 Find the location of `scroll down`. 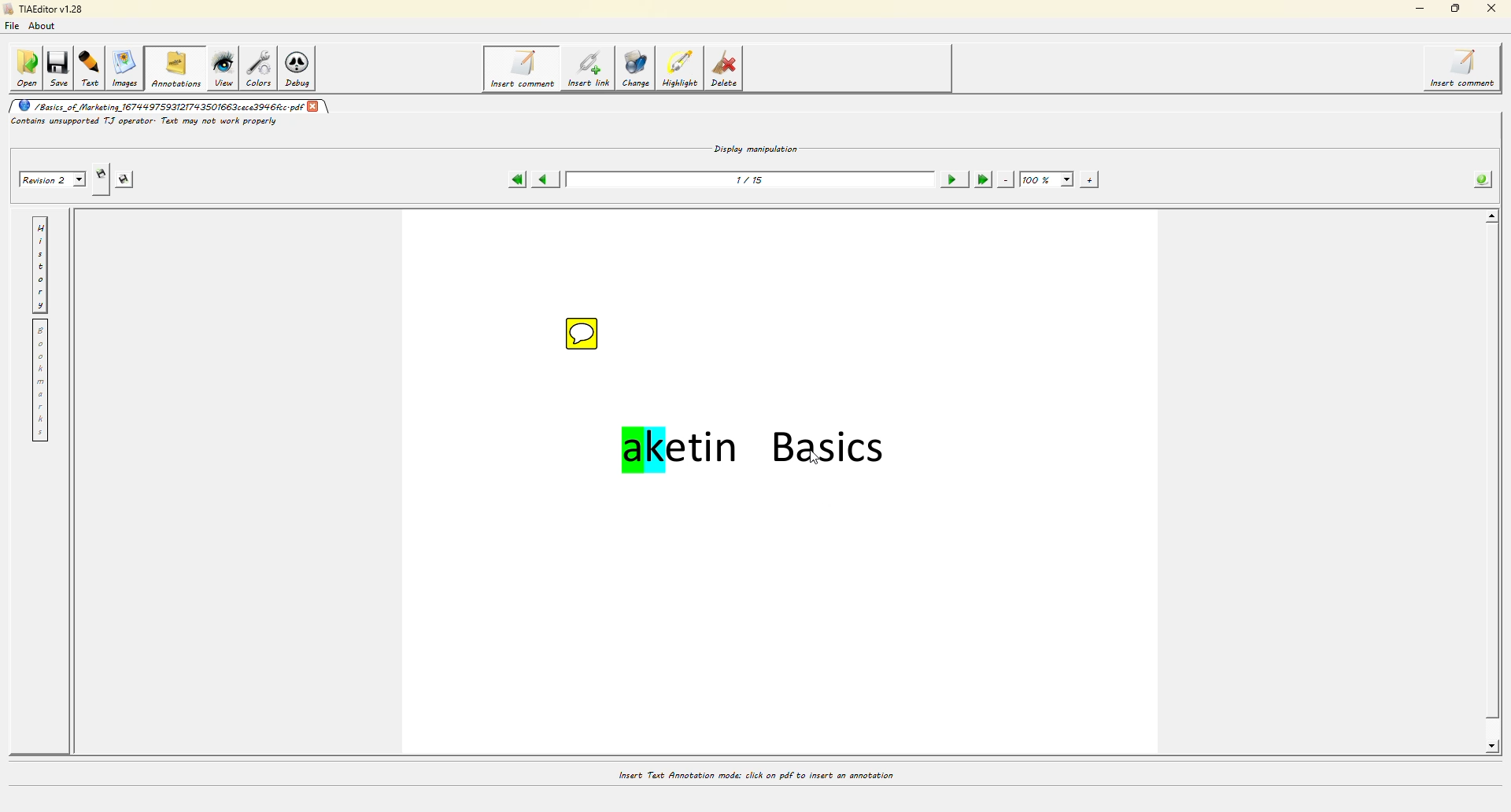

scroll down is located at coordinates (1487, 747).